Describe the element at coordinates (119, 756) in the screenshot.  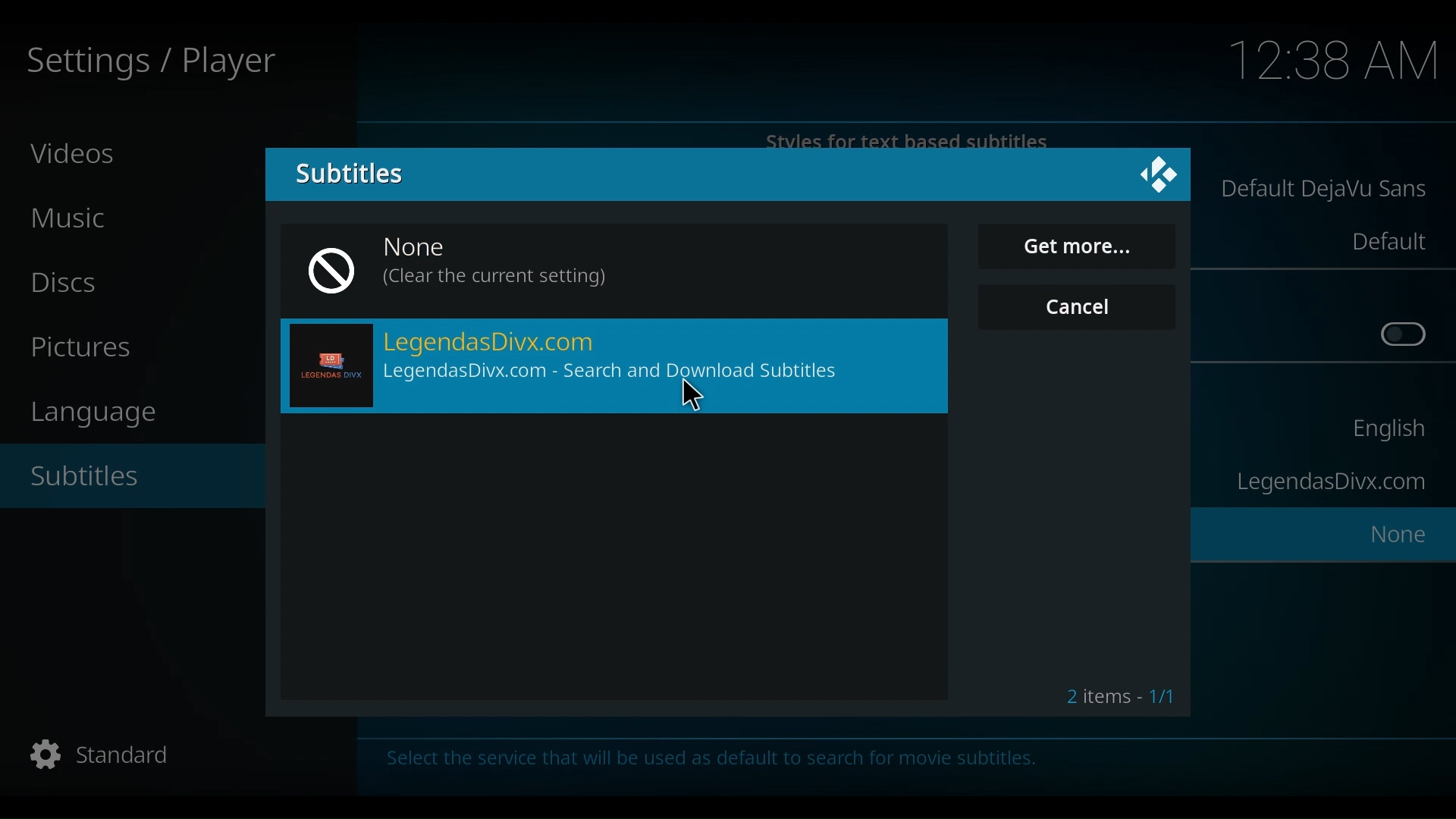
I see ` Standard` at that location.